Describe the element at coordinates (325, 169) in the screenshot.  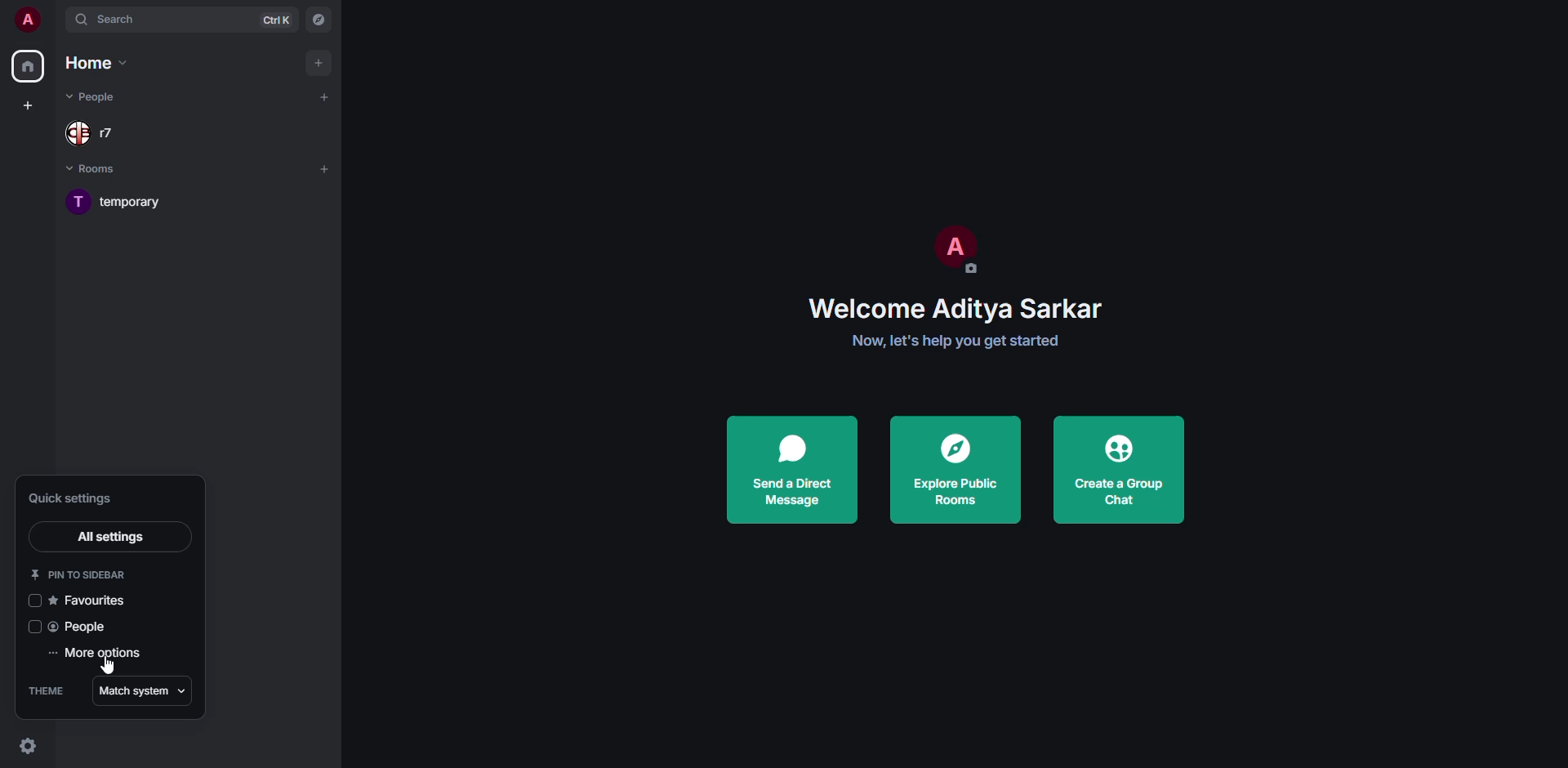
I see `add` at that location.